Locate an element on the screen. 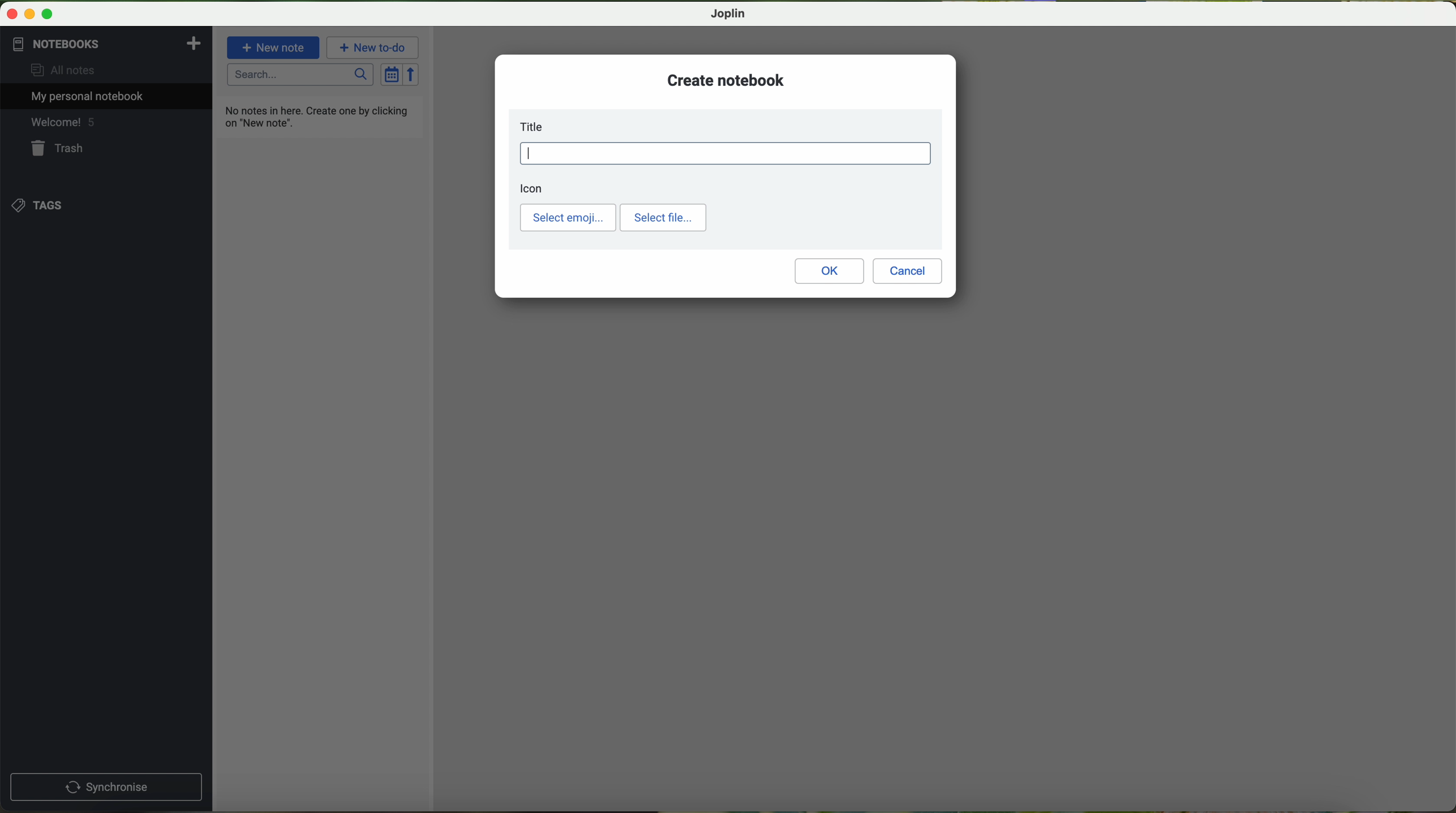 This screenshot has height=813, width=1456. new note button is located at coordinates (274, 47).